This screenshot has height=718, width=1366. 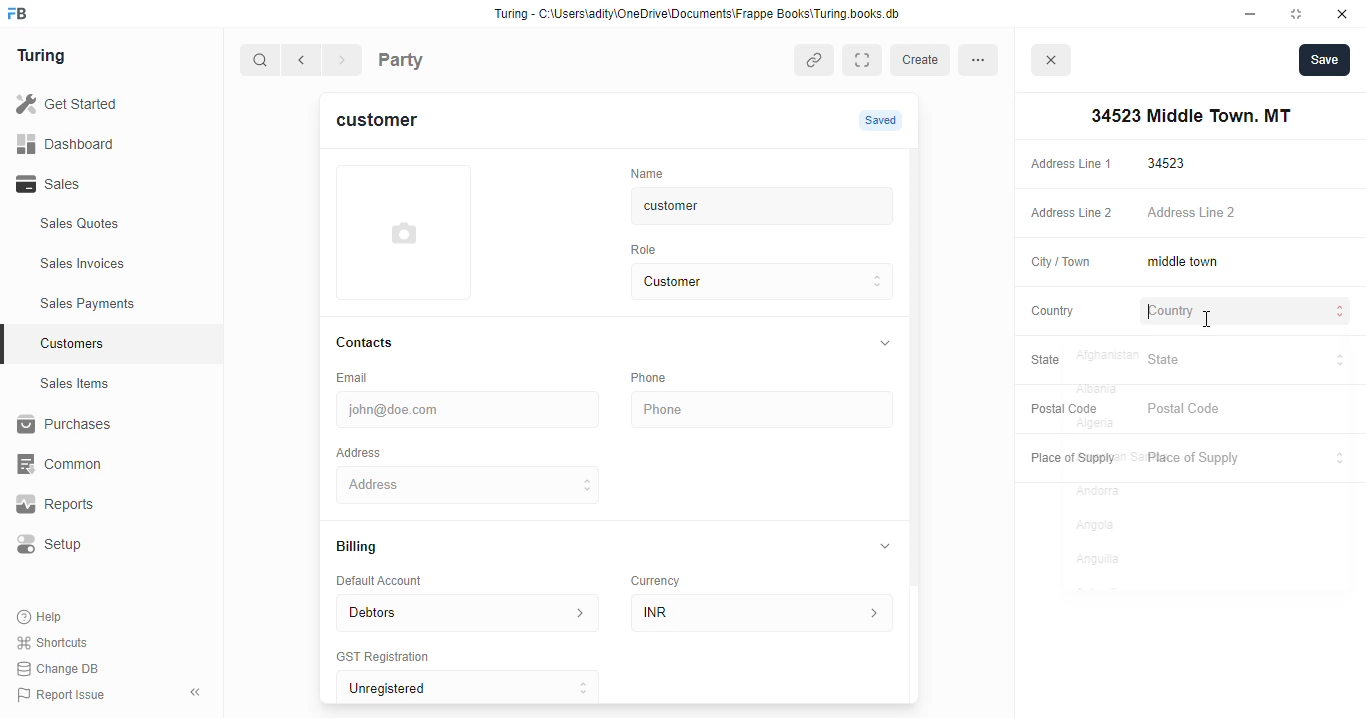 I want to click on Postal Code, so click(x=1247, y=410).